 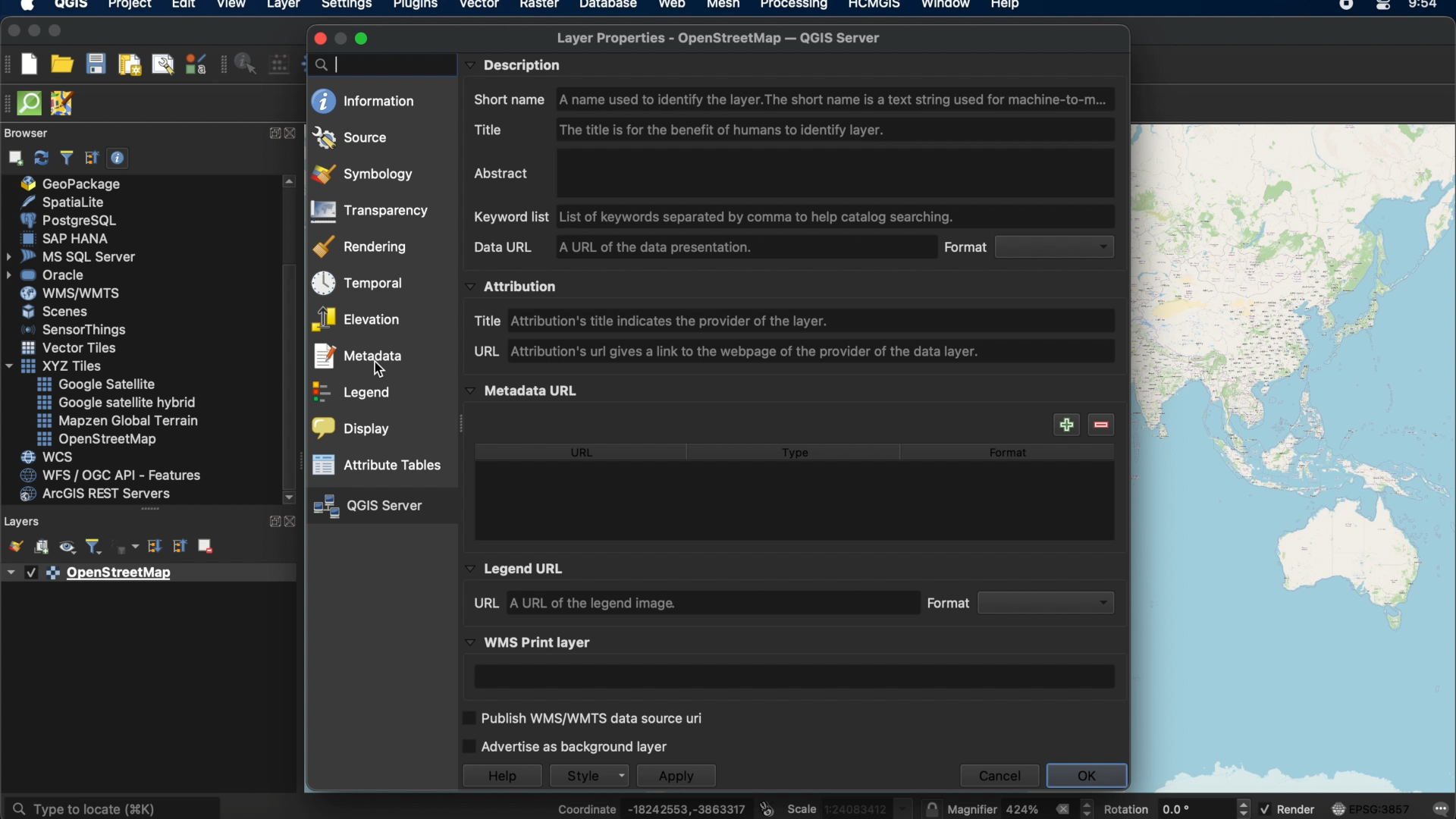 I want to click on was/ogc api- features, so click(x=111, y=475).